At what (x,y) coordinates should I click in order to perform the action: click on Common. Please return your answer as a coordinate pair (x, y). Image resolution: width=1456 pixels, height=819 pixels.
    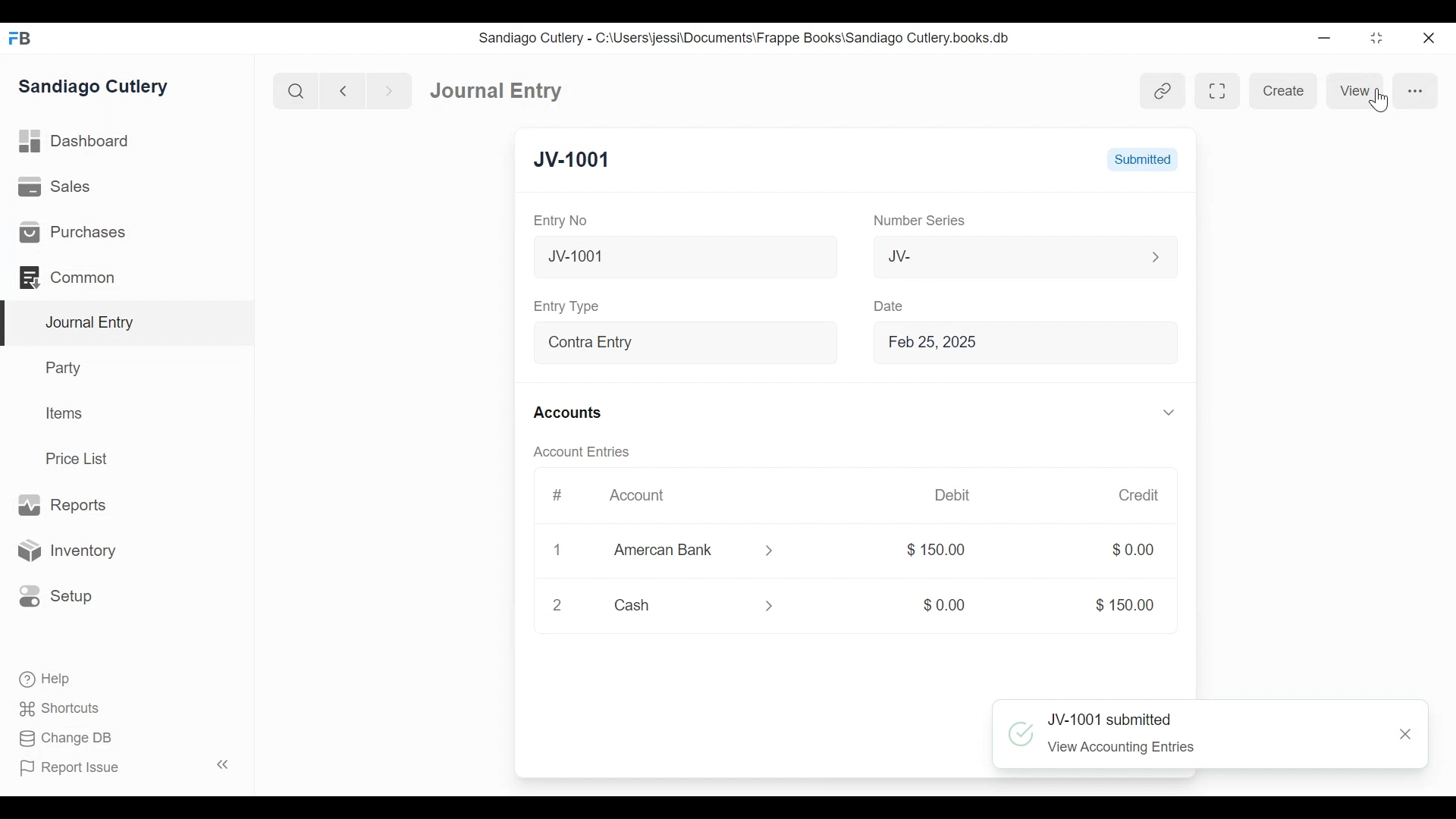
    Looking at the image, I should click on (75, 278).